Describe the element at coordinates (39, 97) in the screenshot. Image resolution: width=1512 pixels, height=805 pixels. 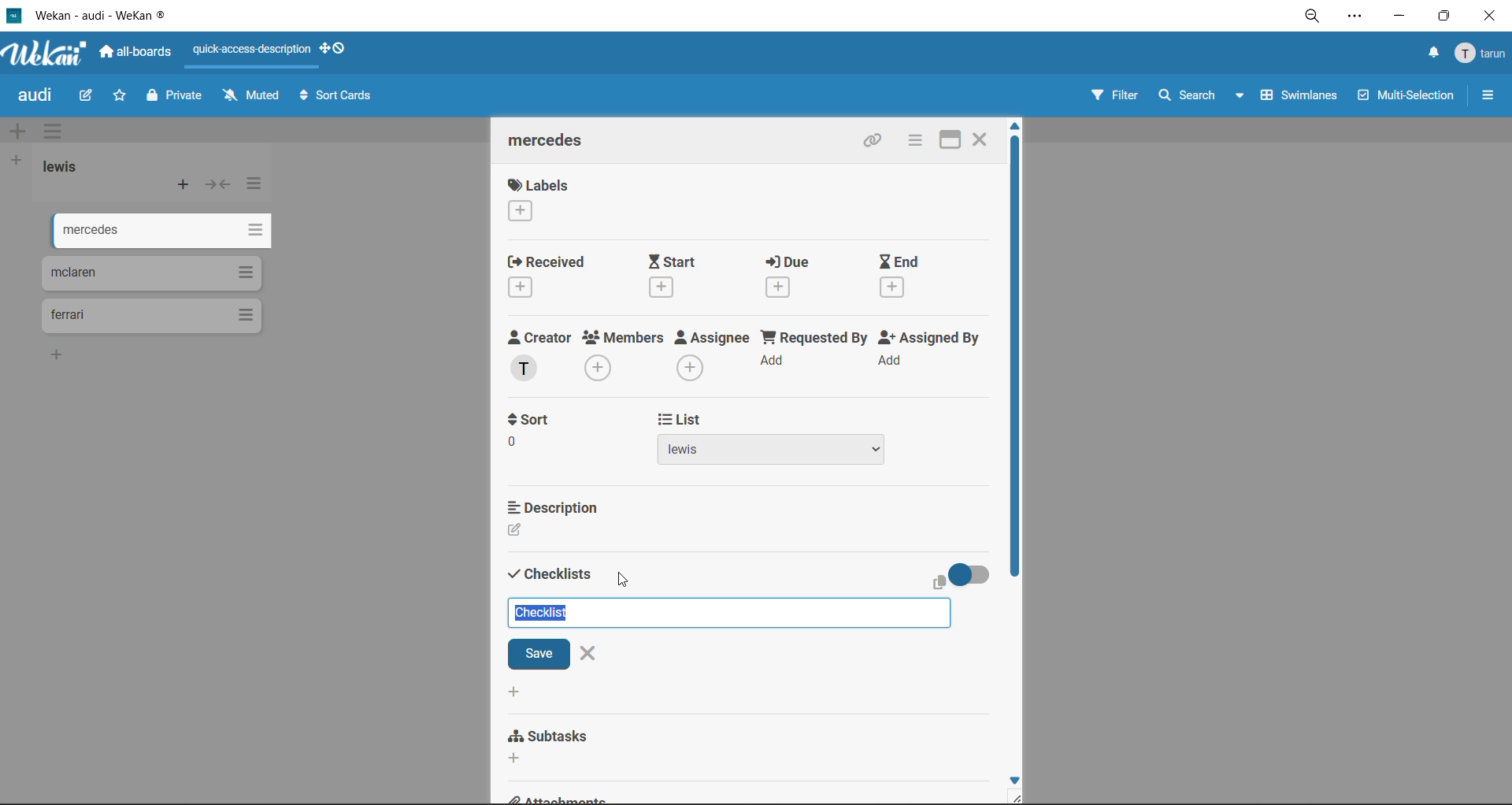
I see `board title` at that location.